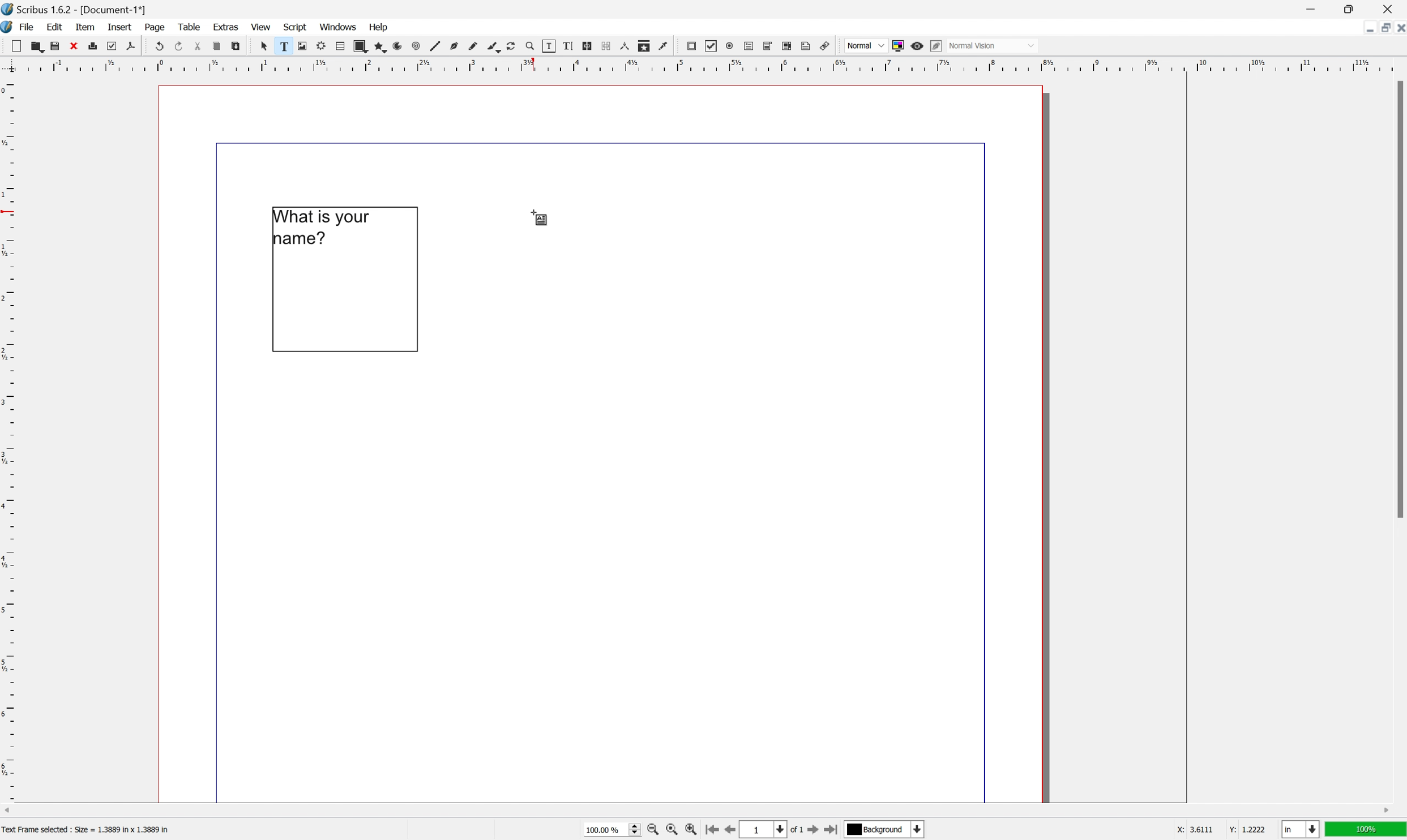 The height and width of the screenshot is (840, 1407). What do you see at coordinates (340, 46) in the screenshot?
I see `table` at bounding box center [340, 46].